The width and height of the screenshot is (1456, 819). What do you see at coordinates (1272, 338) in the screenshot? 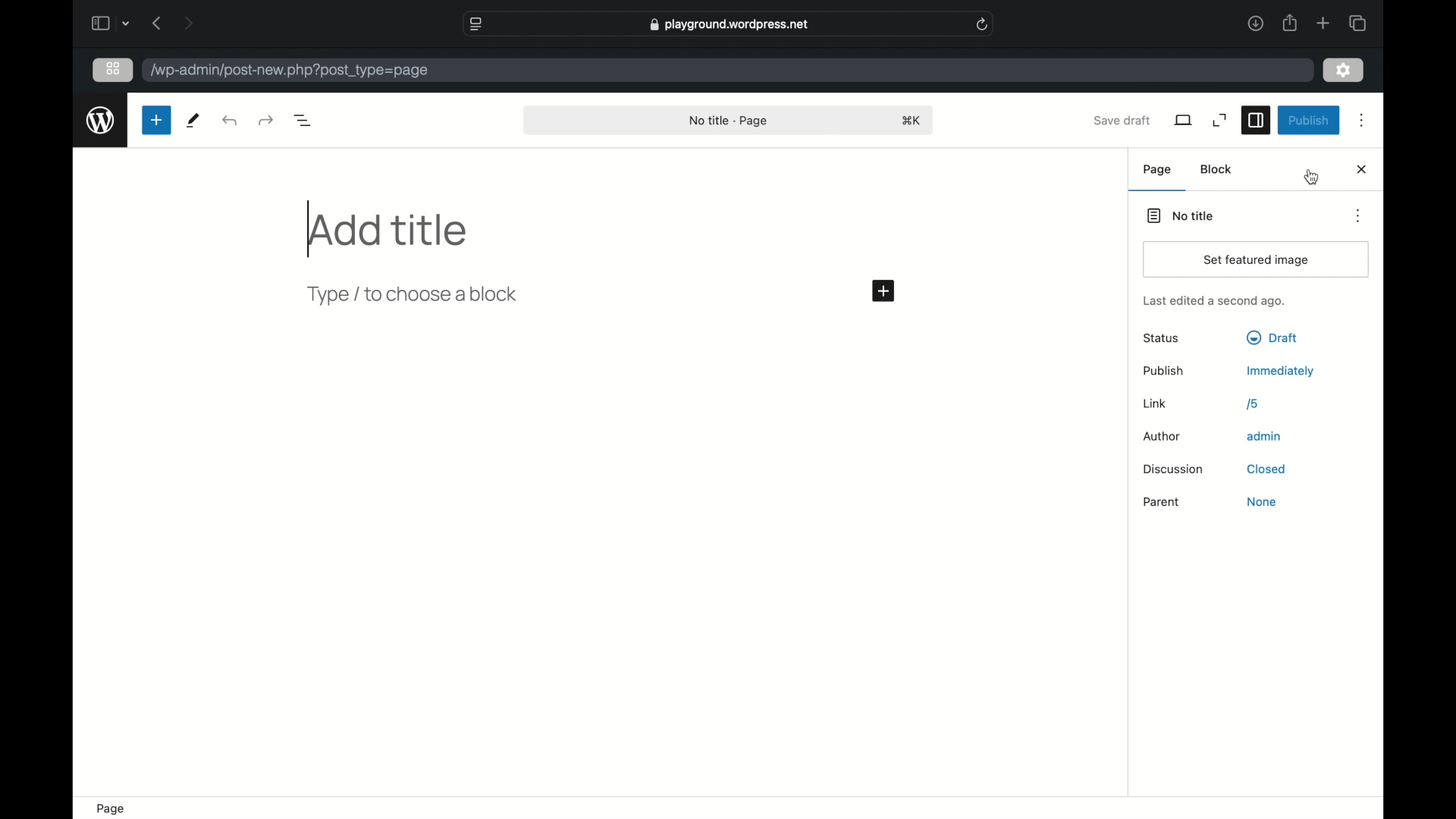
I see `draft` at bounding box center [1272, 338].